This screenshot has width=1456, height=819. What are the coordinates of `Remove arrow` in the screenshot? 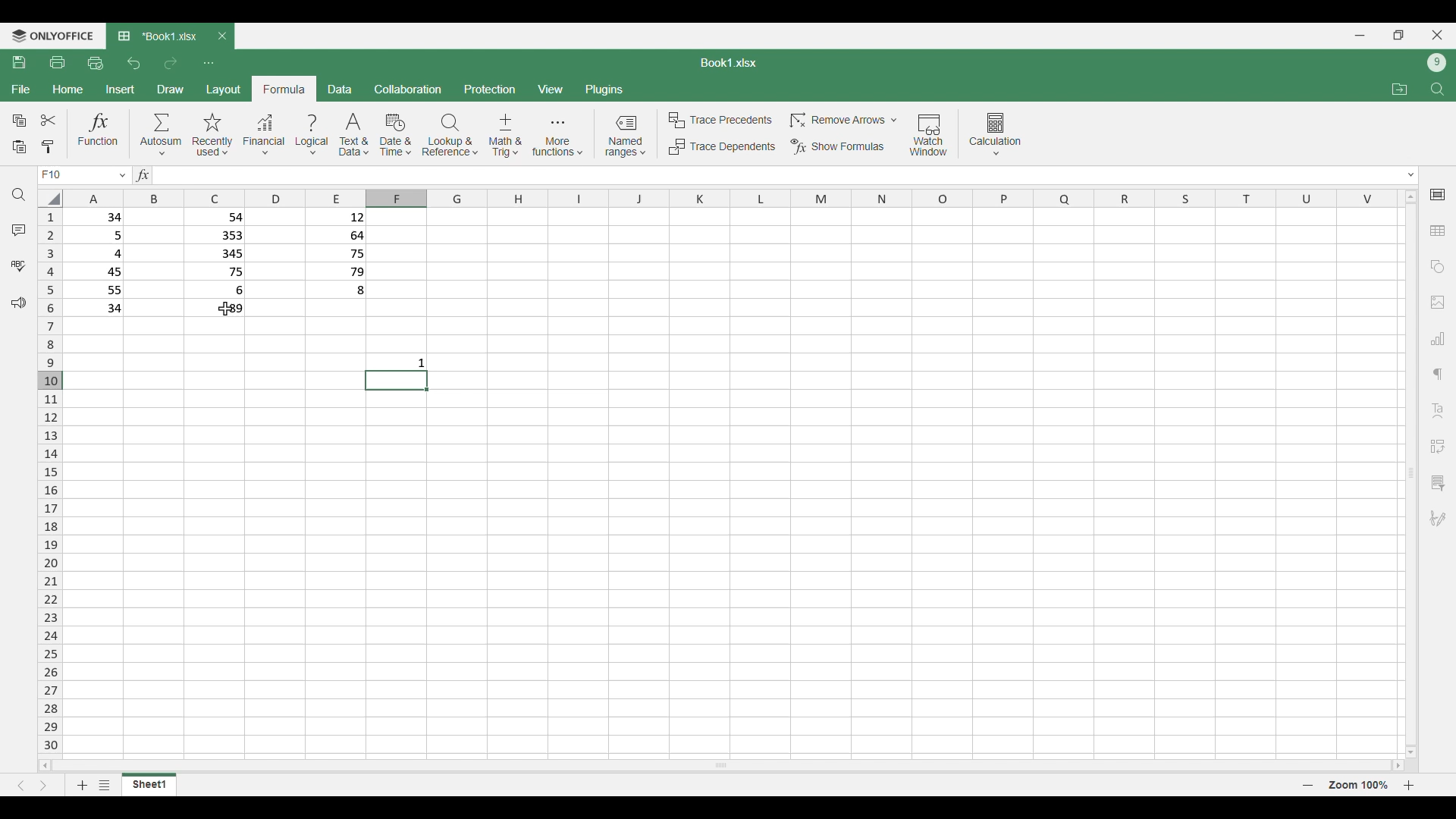 It's located at (842, 121).